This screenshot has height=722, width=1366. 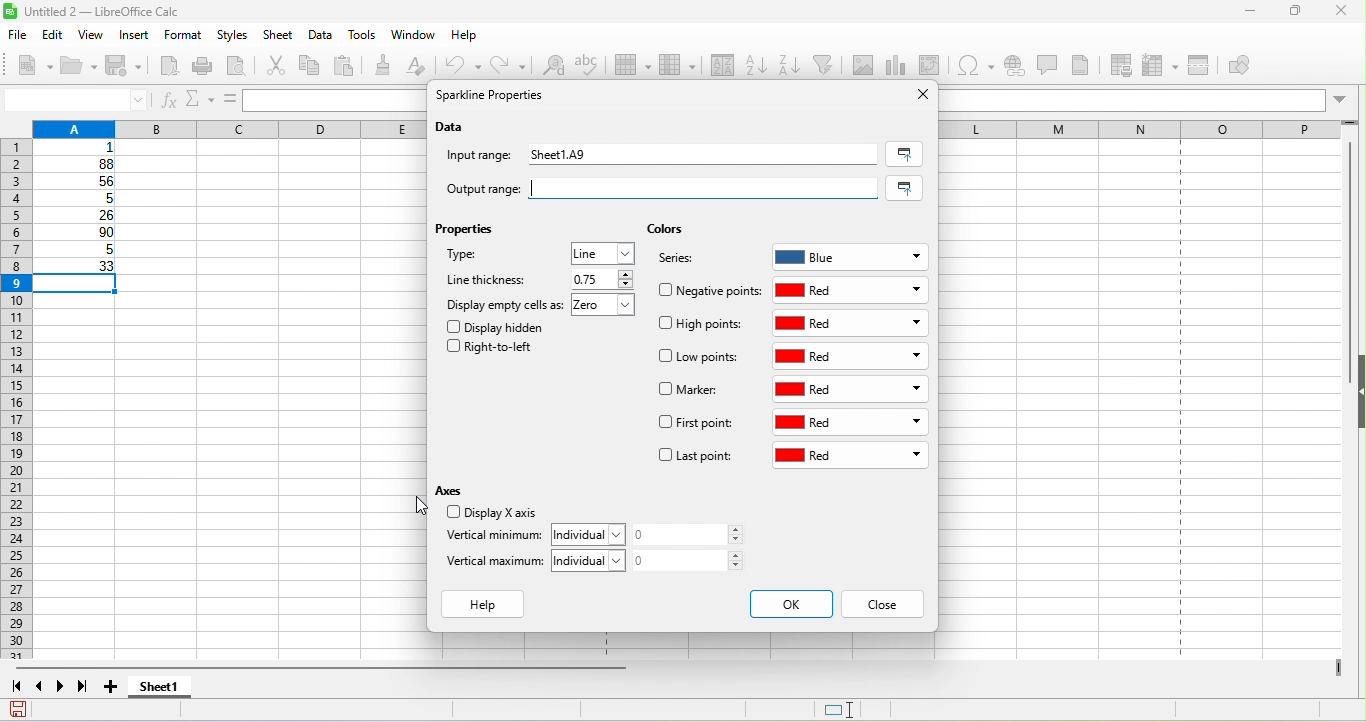 What do you see at coordinates (791, 64) in the screenshot?
I see `sort descending` at bounding box center [791, 64].